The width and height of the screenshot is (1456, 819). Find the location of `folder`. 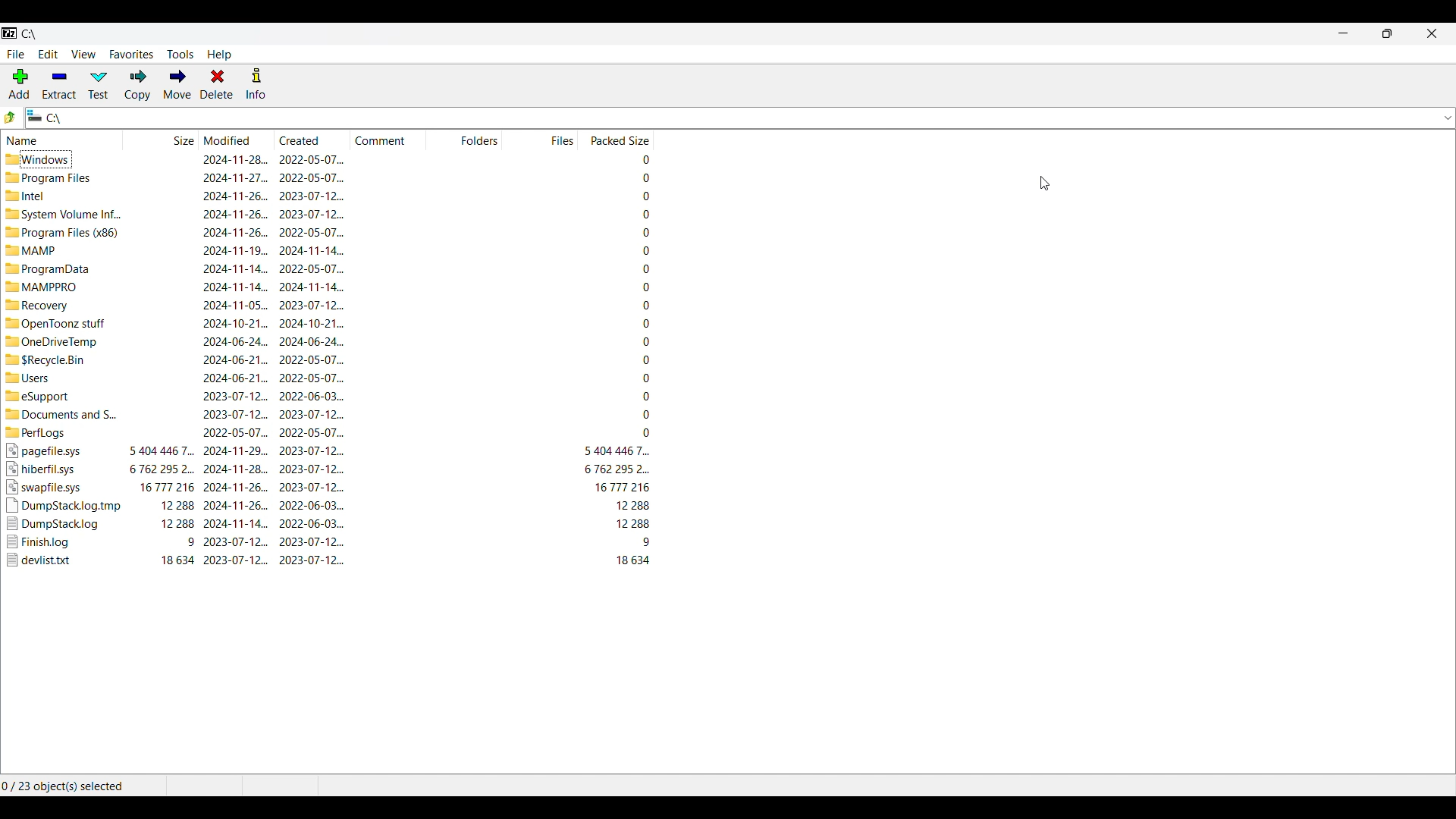

folder is located at coordinates (61, 413).